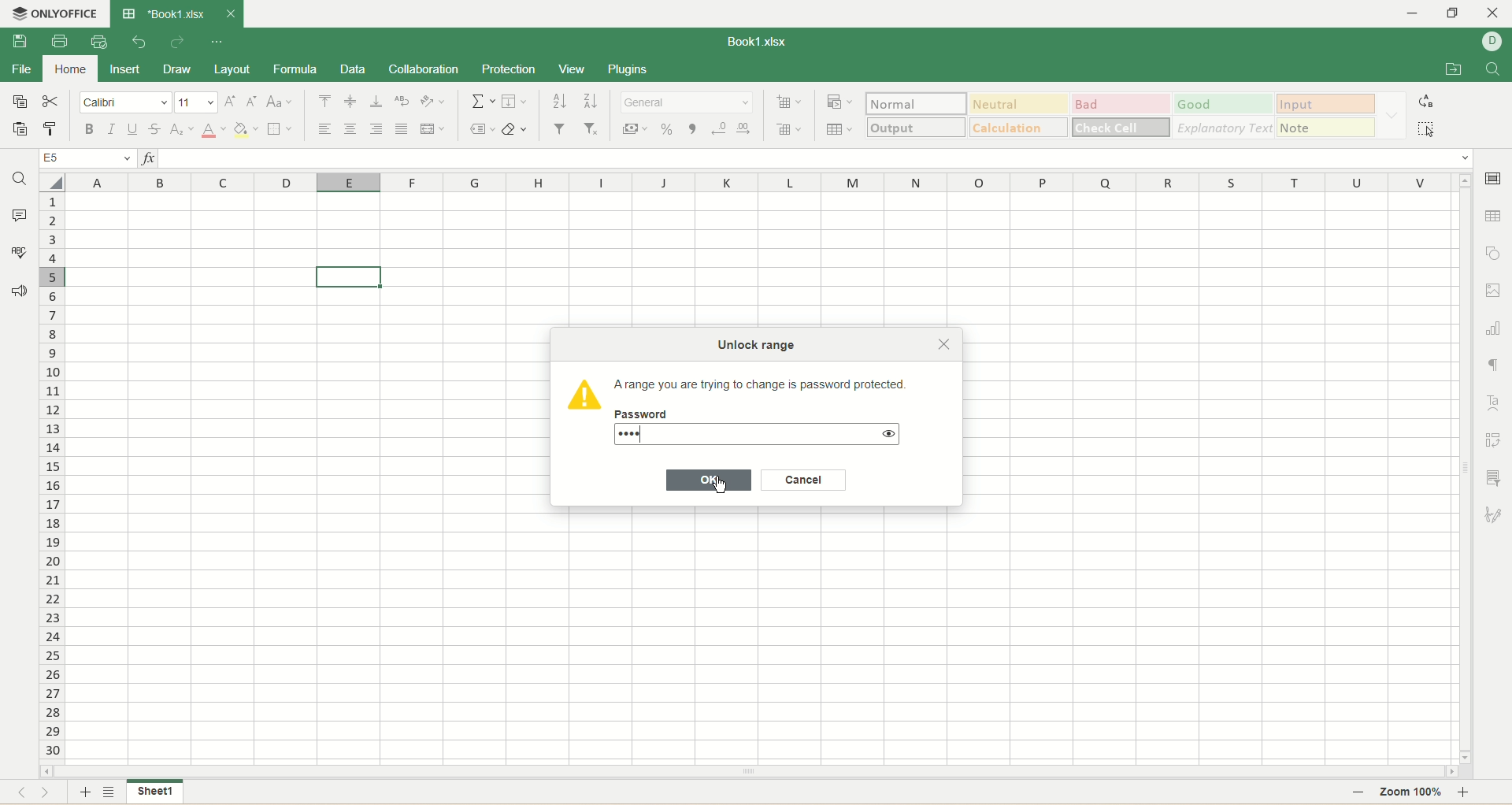 The image size is (1512, 805). Describe the element at coordinates (350, 278) in the screenshot. I see `active cell` at that location.